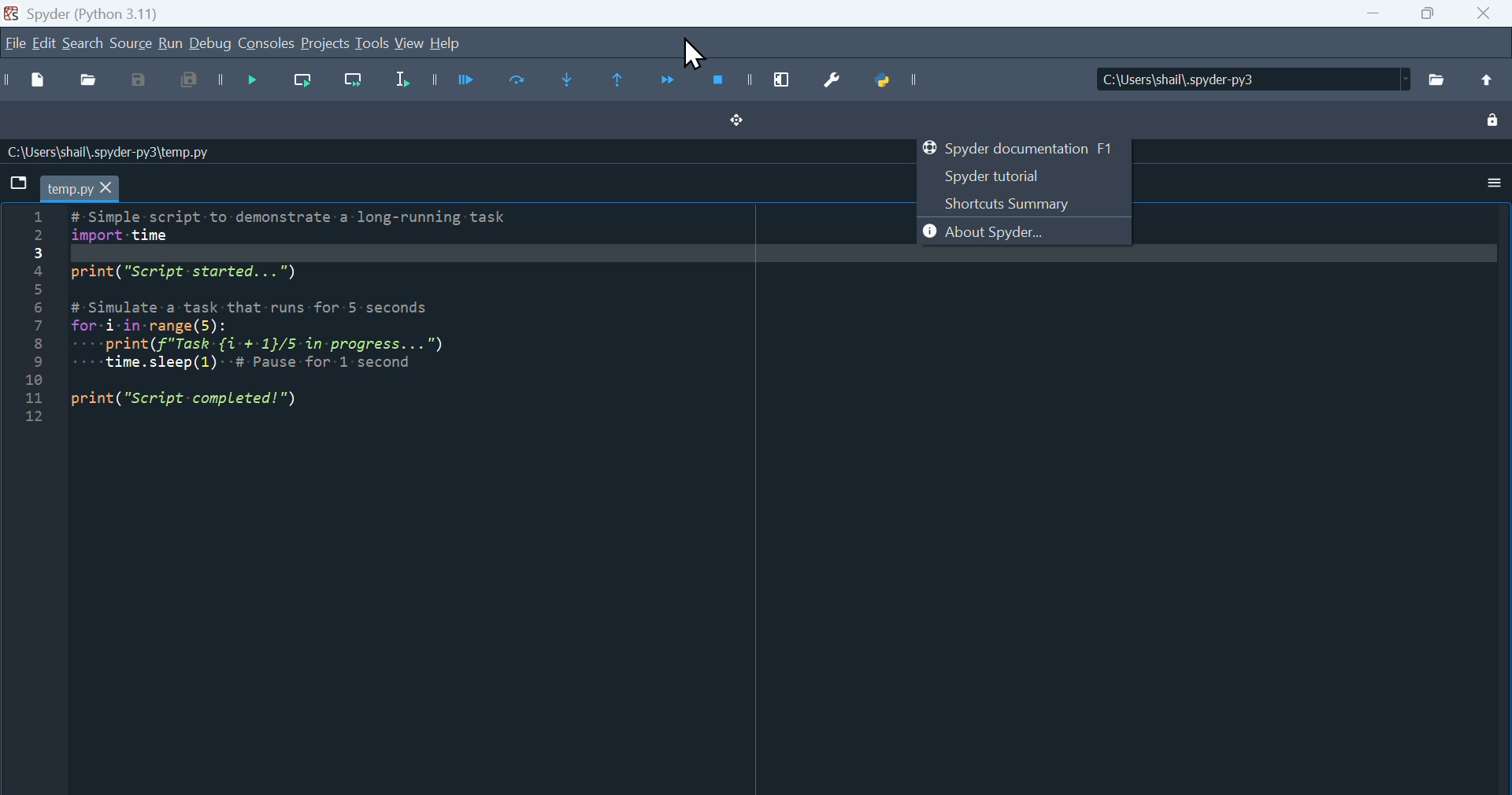 The image size is (1512, 795). What do you see at coordinates (1362, 16) in the screenshot?
I see `` at bounding box center [1362, 16].